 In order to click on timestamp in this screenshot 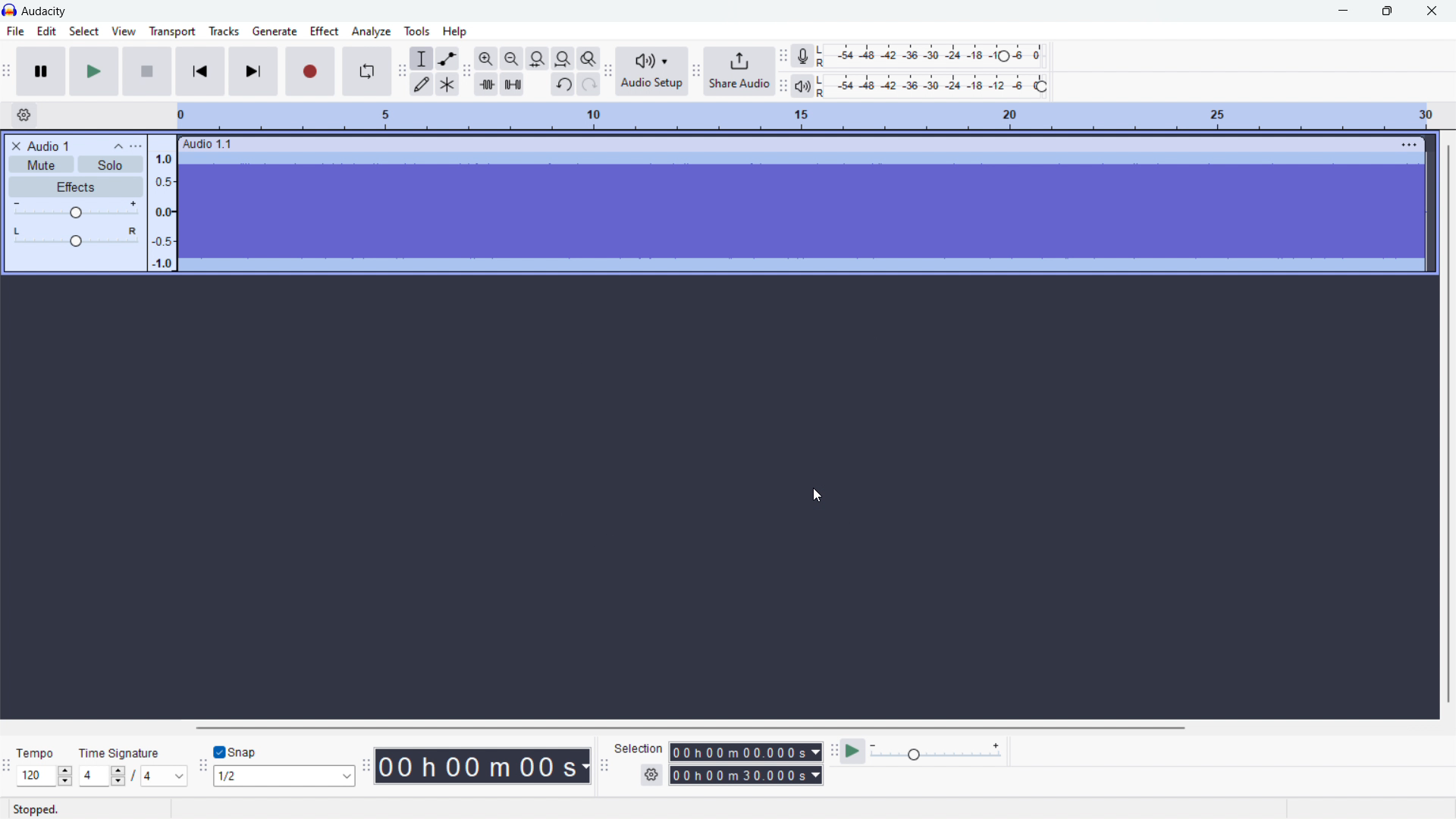, I will do `click(482, 766)`.